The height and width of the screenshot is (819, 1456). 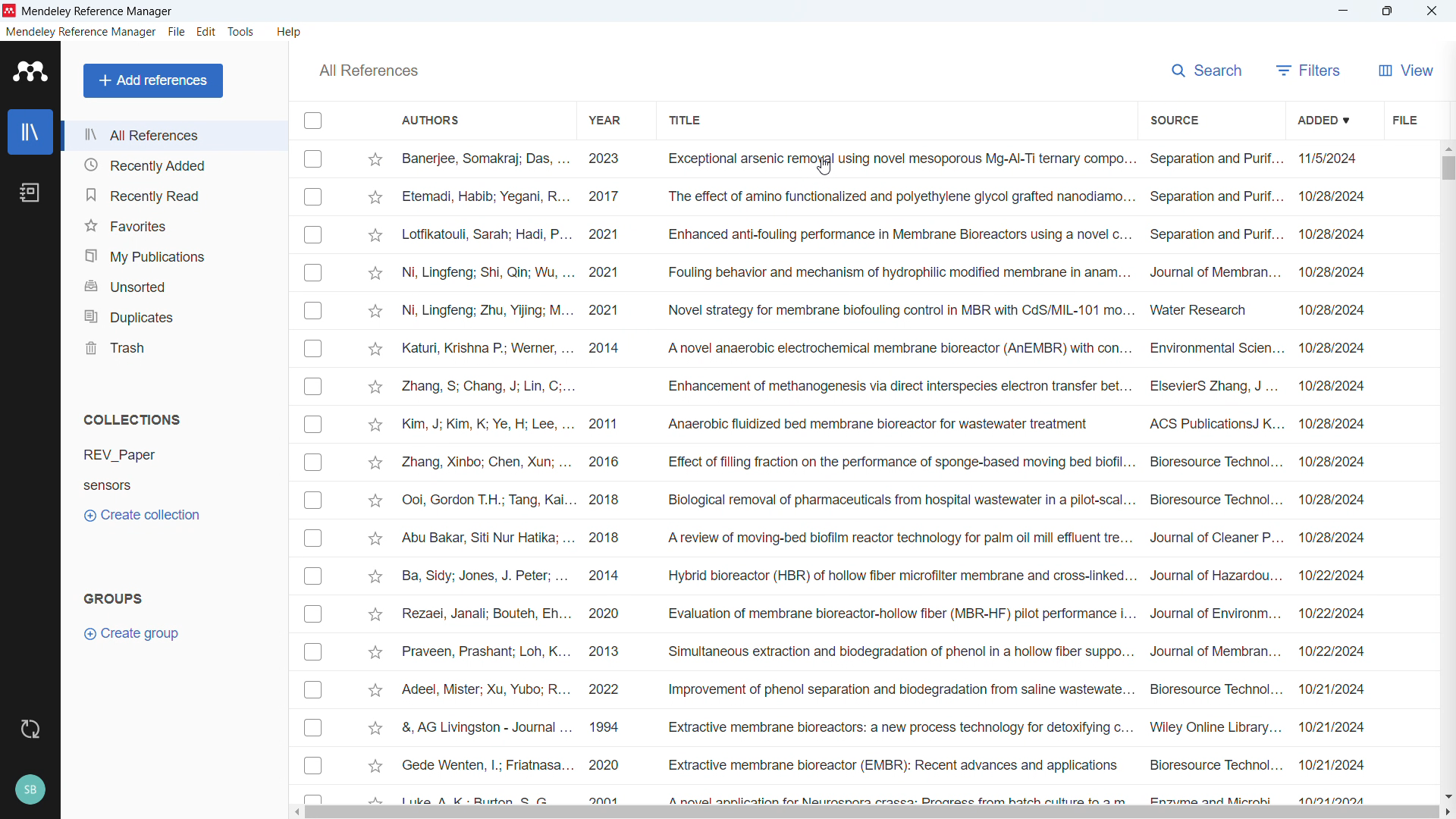 I want to click on 10/28/2024, so click(x=1335, y=199).